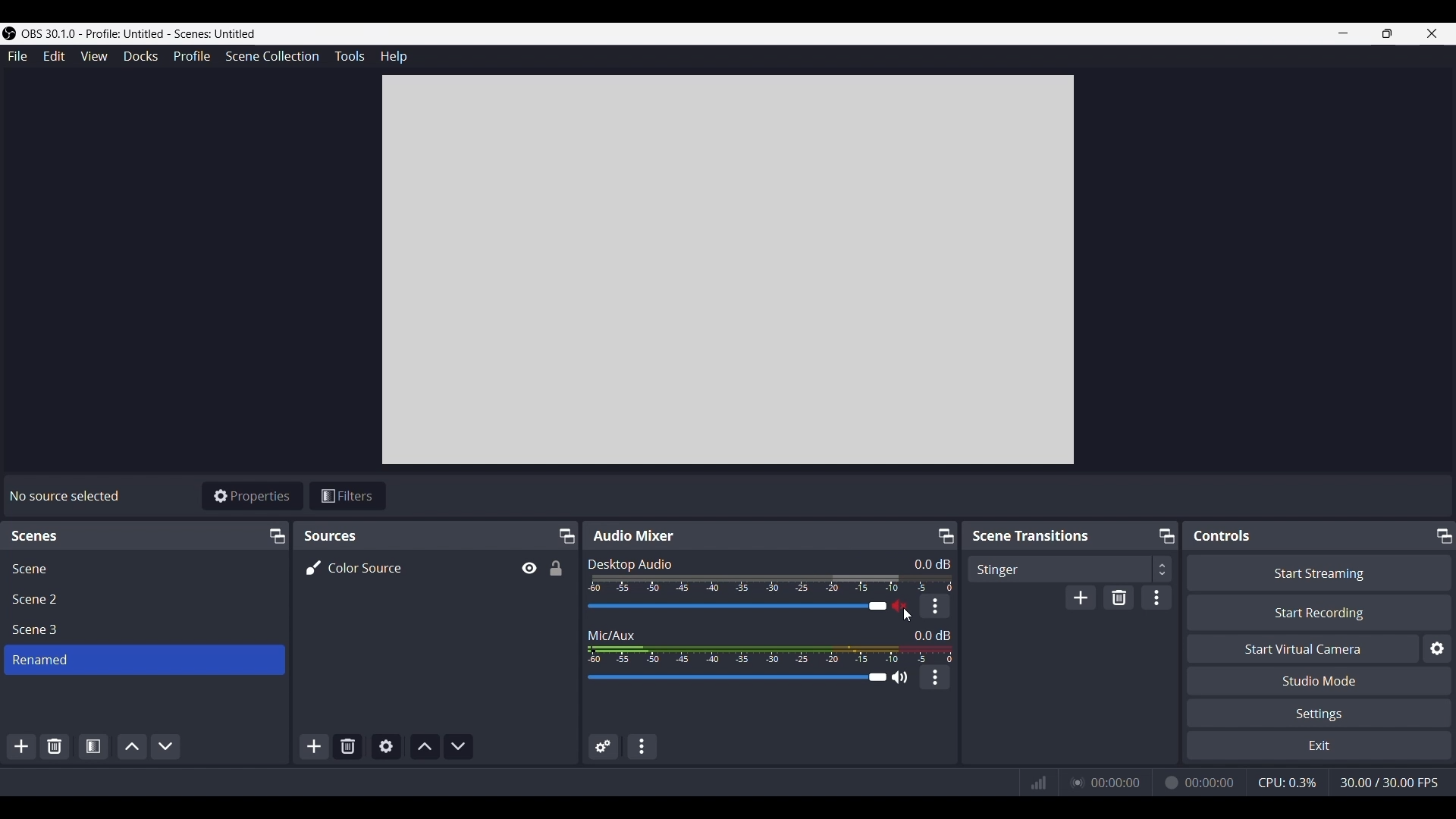 The image size is (1456, 819). Describe the element at coordinates (458, 747) in the screenshot. I see `Move source one step down` at that location.